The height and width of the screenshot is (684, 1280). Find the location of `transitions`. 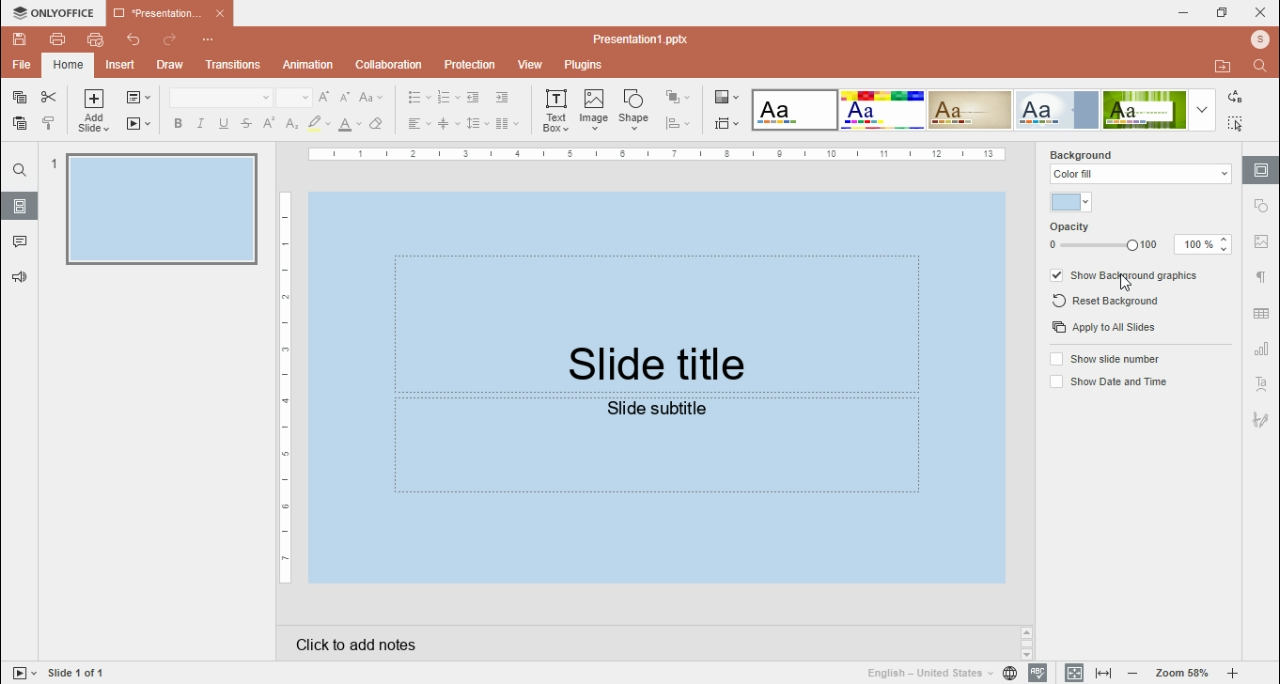

transitions is located at coordinates (230, 65).